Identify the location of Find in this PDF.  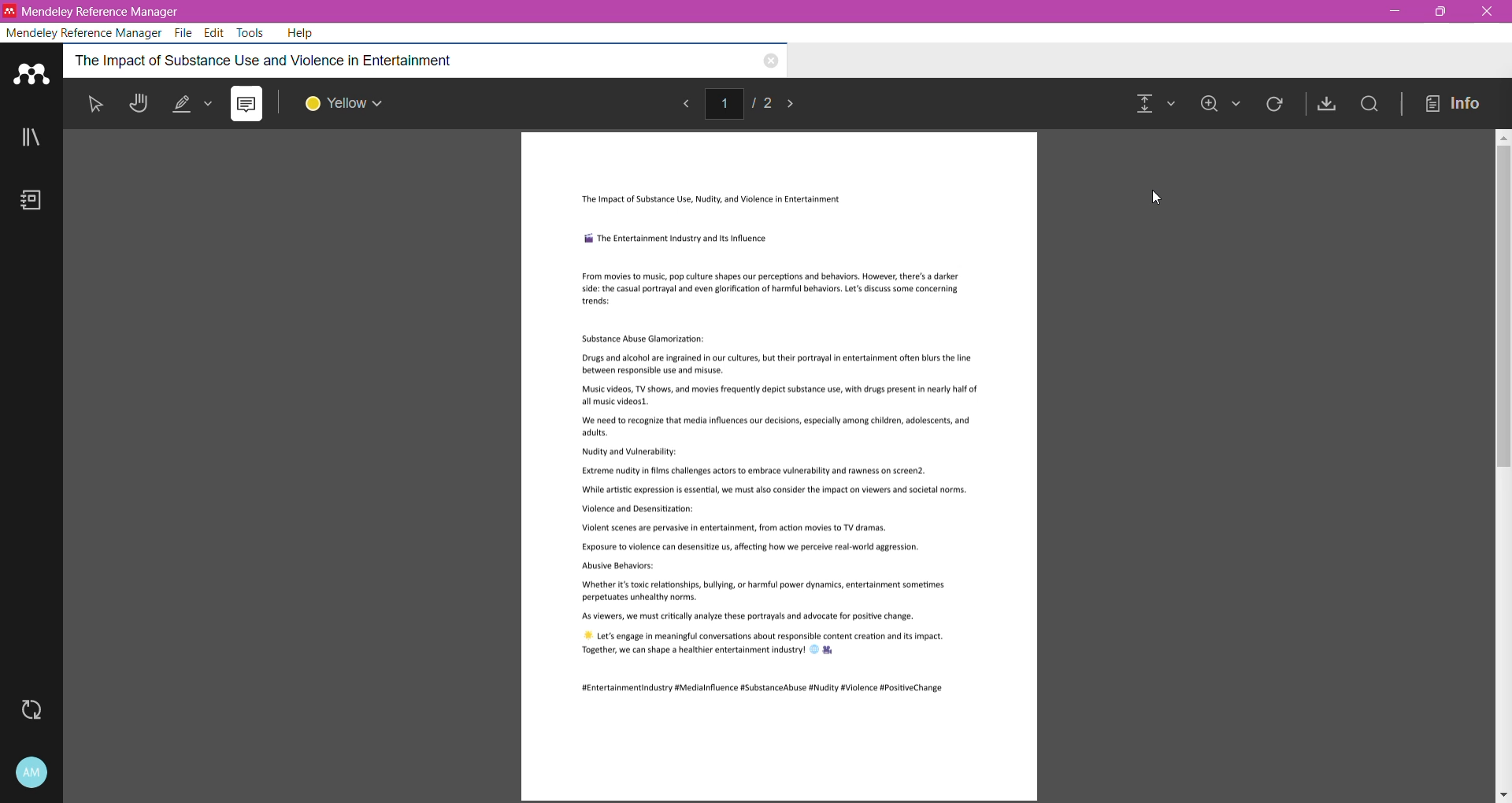
(1368, 105).